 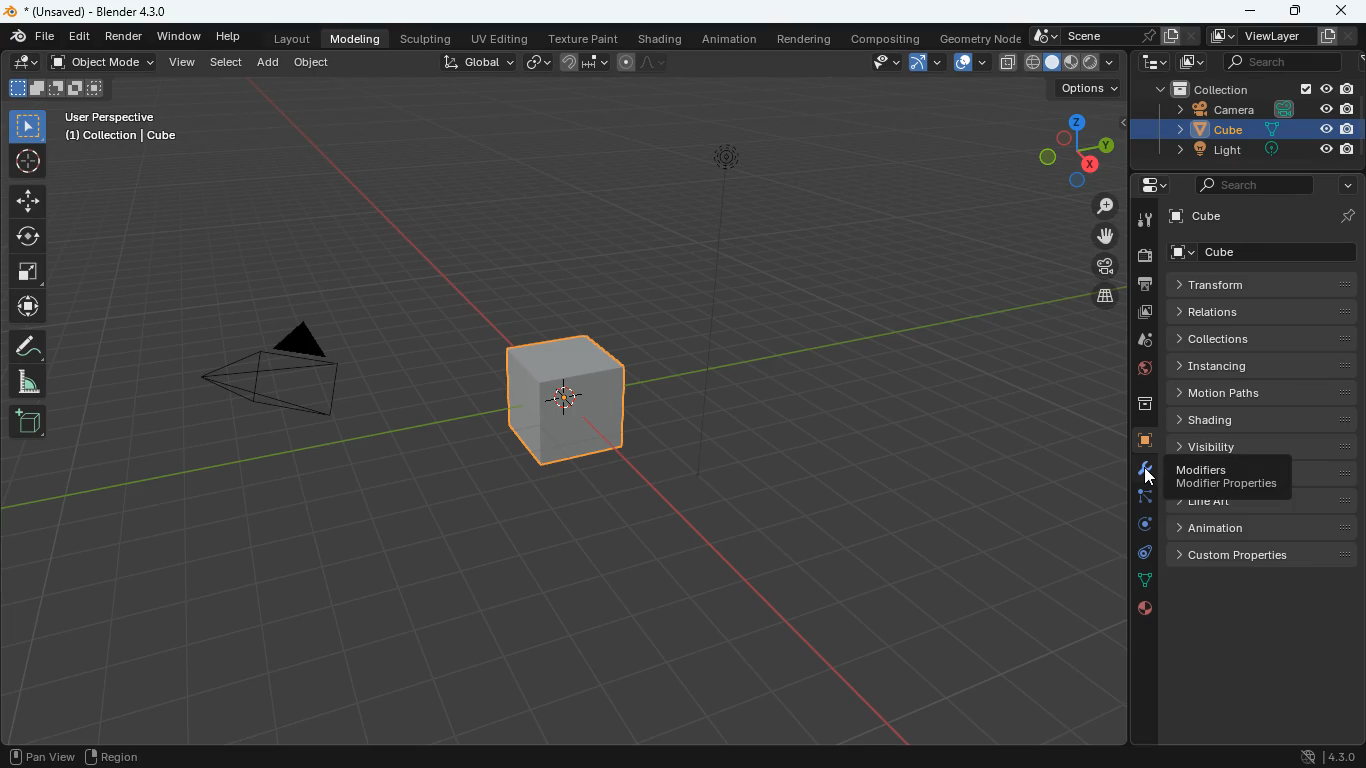 I want to click on tools, so click(x=1144, y=219).